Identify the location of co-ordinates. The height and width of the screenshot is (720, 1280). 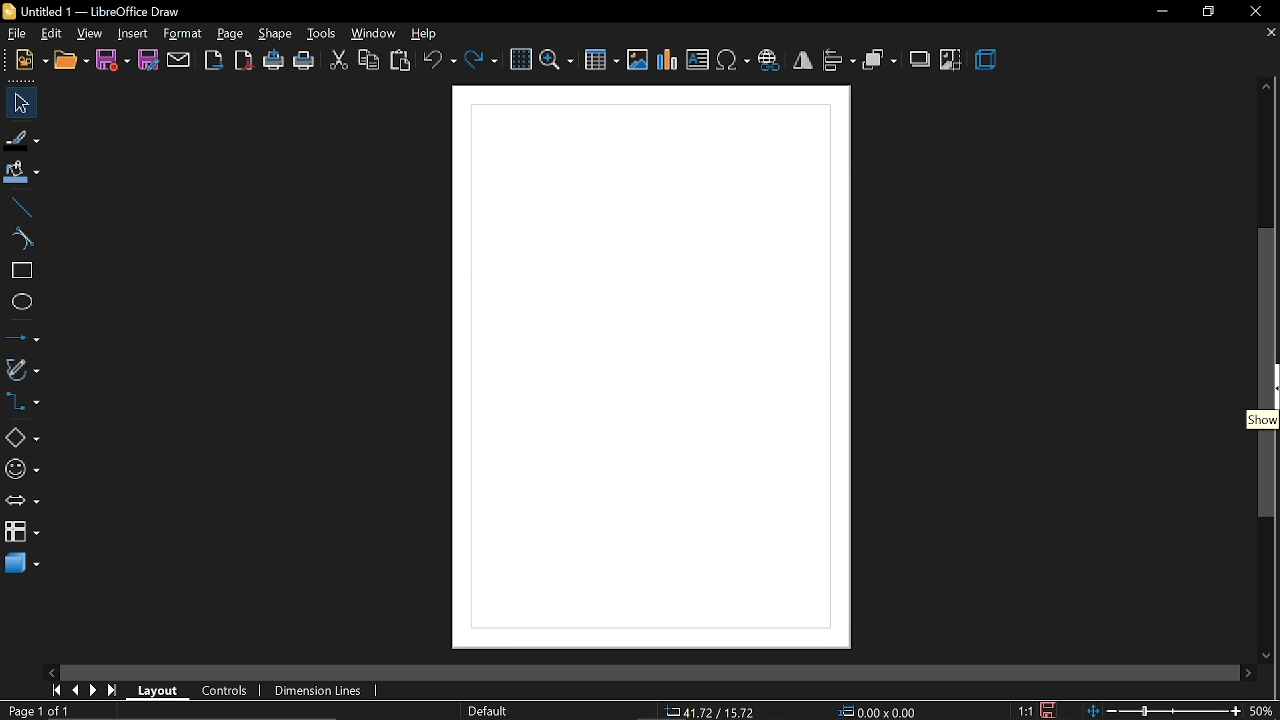
(714, 712).